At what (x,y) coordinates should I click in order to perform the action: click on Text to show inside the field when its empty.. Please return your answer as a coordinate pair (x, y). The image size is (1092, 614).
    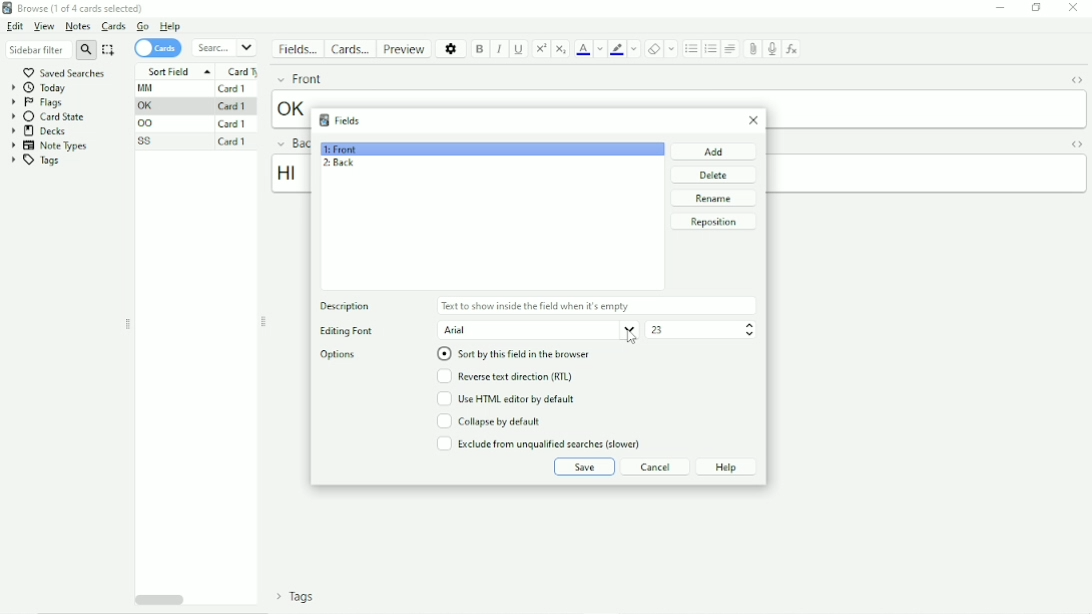
    Looking at the image, I should click on (533, 304).